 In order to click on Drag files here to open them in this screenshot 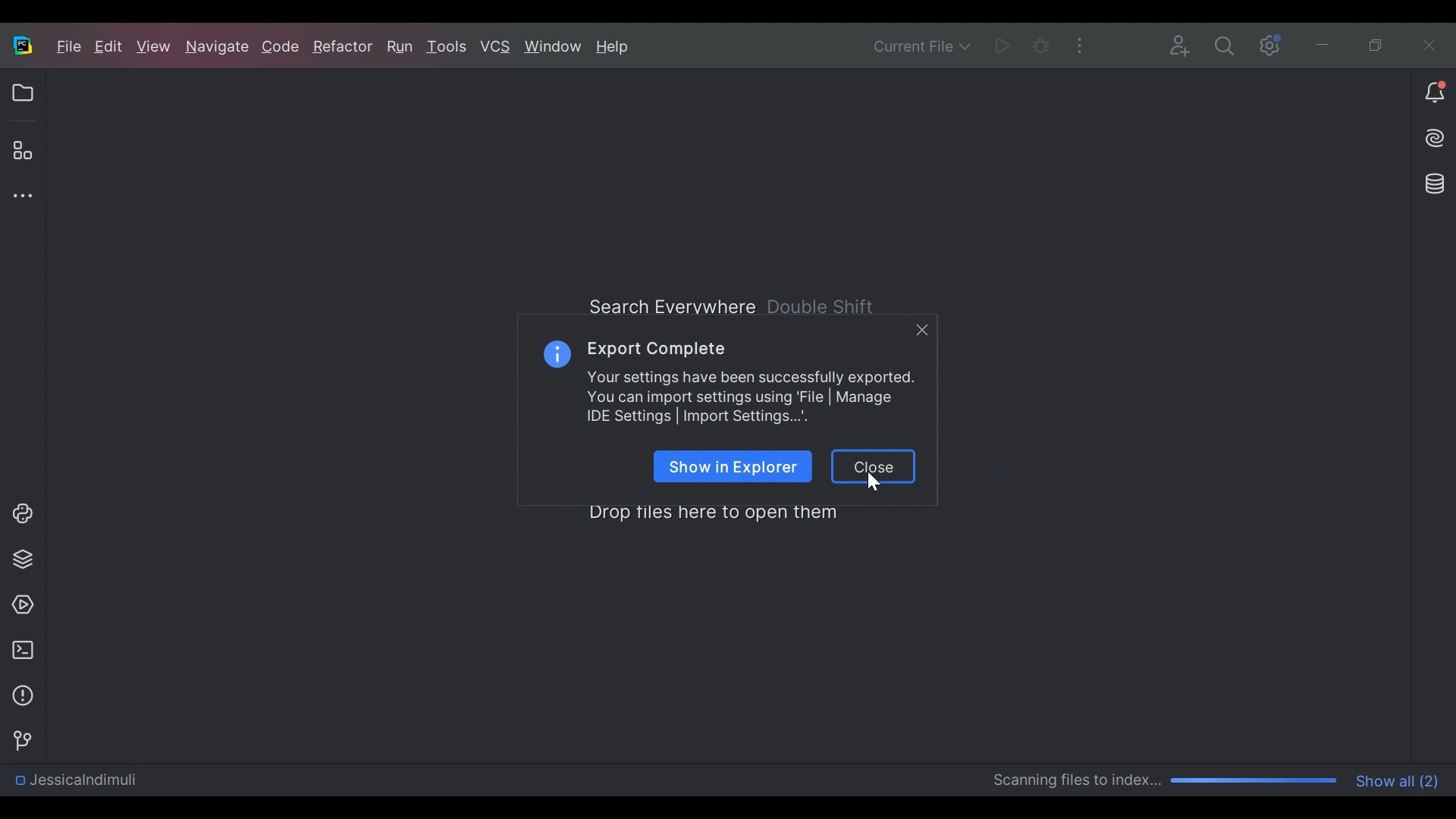, I will do `click(711, 512)`.